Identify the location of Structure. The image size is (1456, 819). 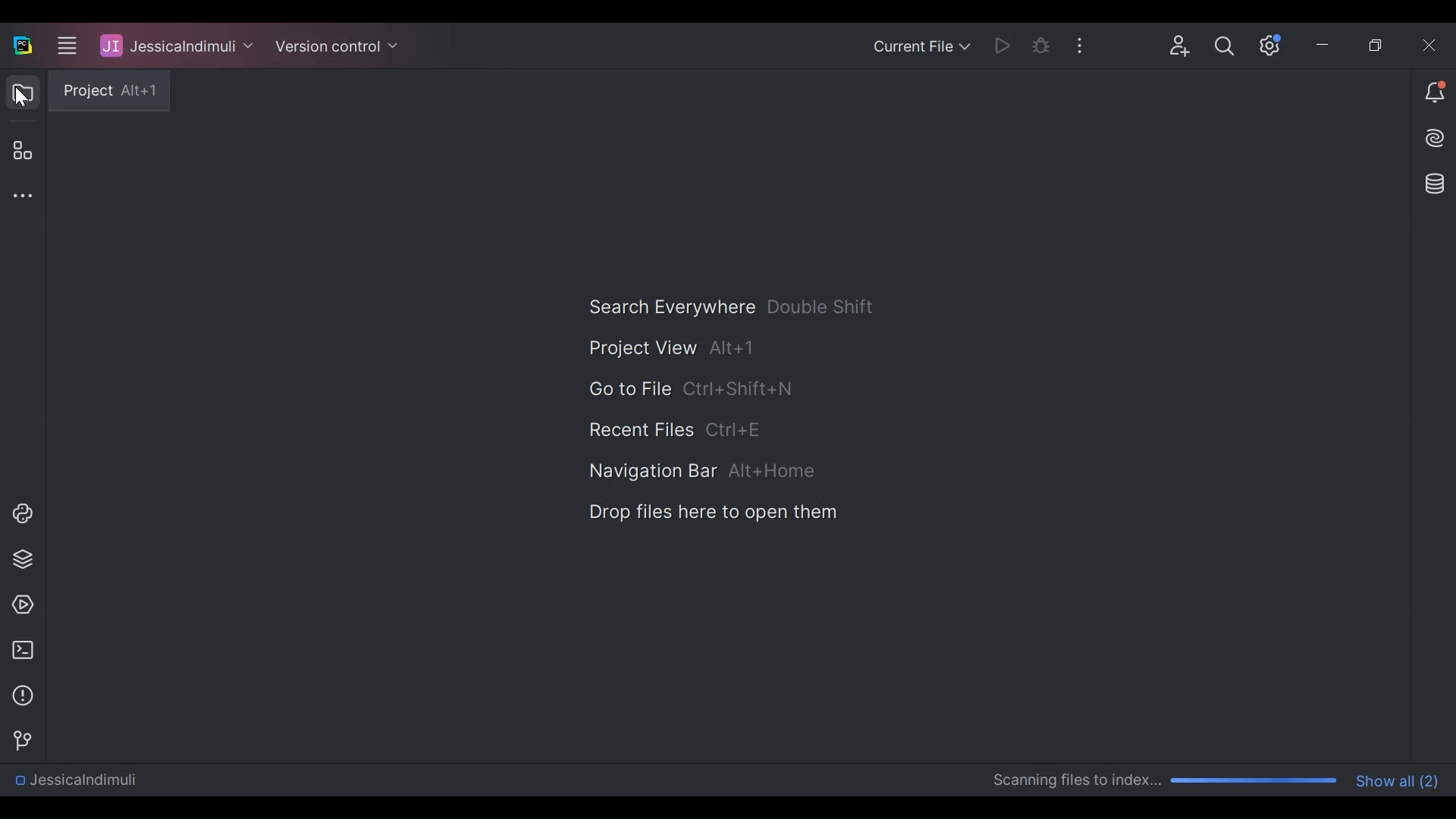
(18, 152).